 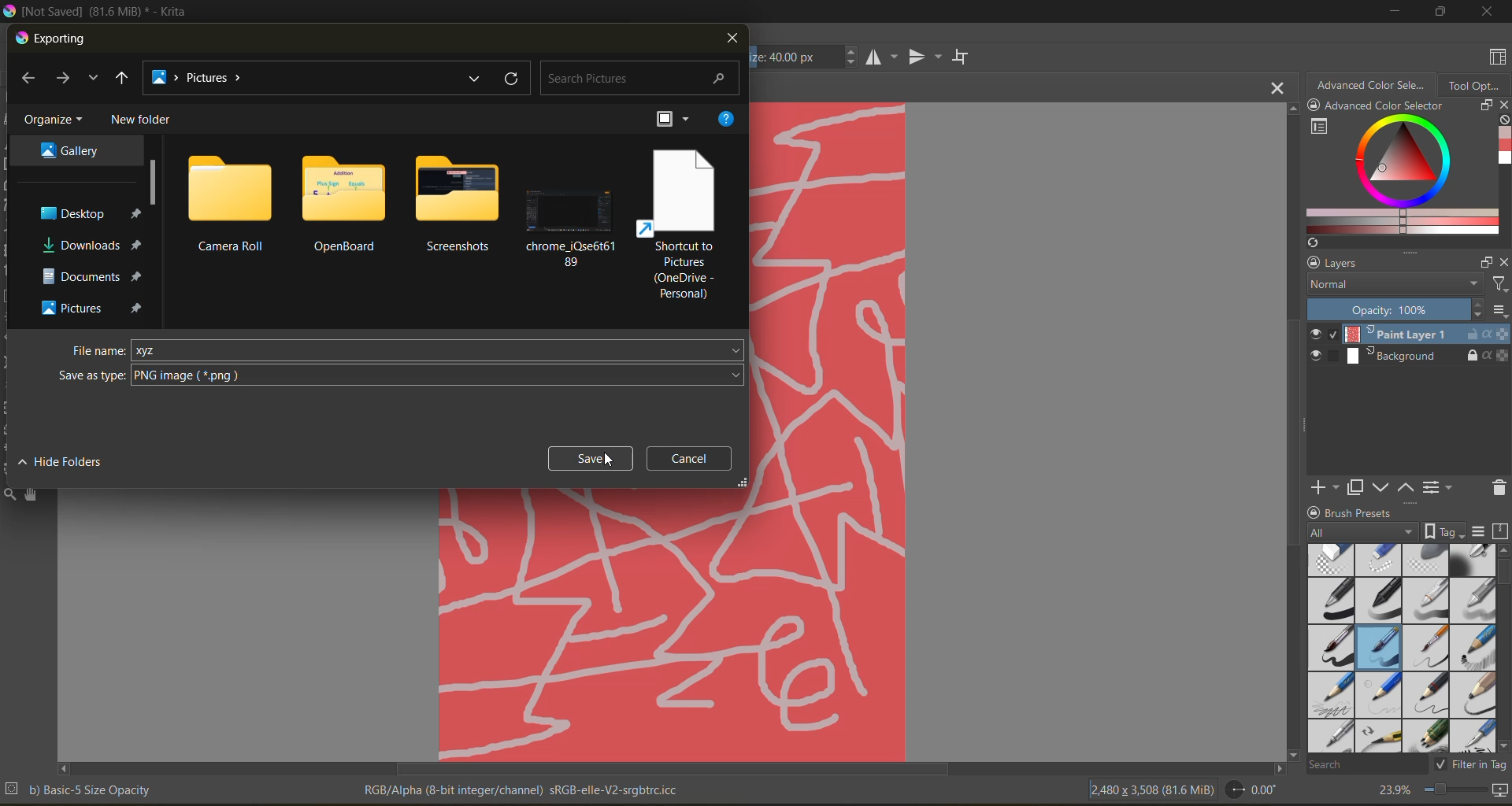 What do you see at coordinates (1290, 430) in the screenshot?
I see `Vertical scroll bar` at bounding box center [1290, 430].